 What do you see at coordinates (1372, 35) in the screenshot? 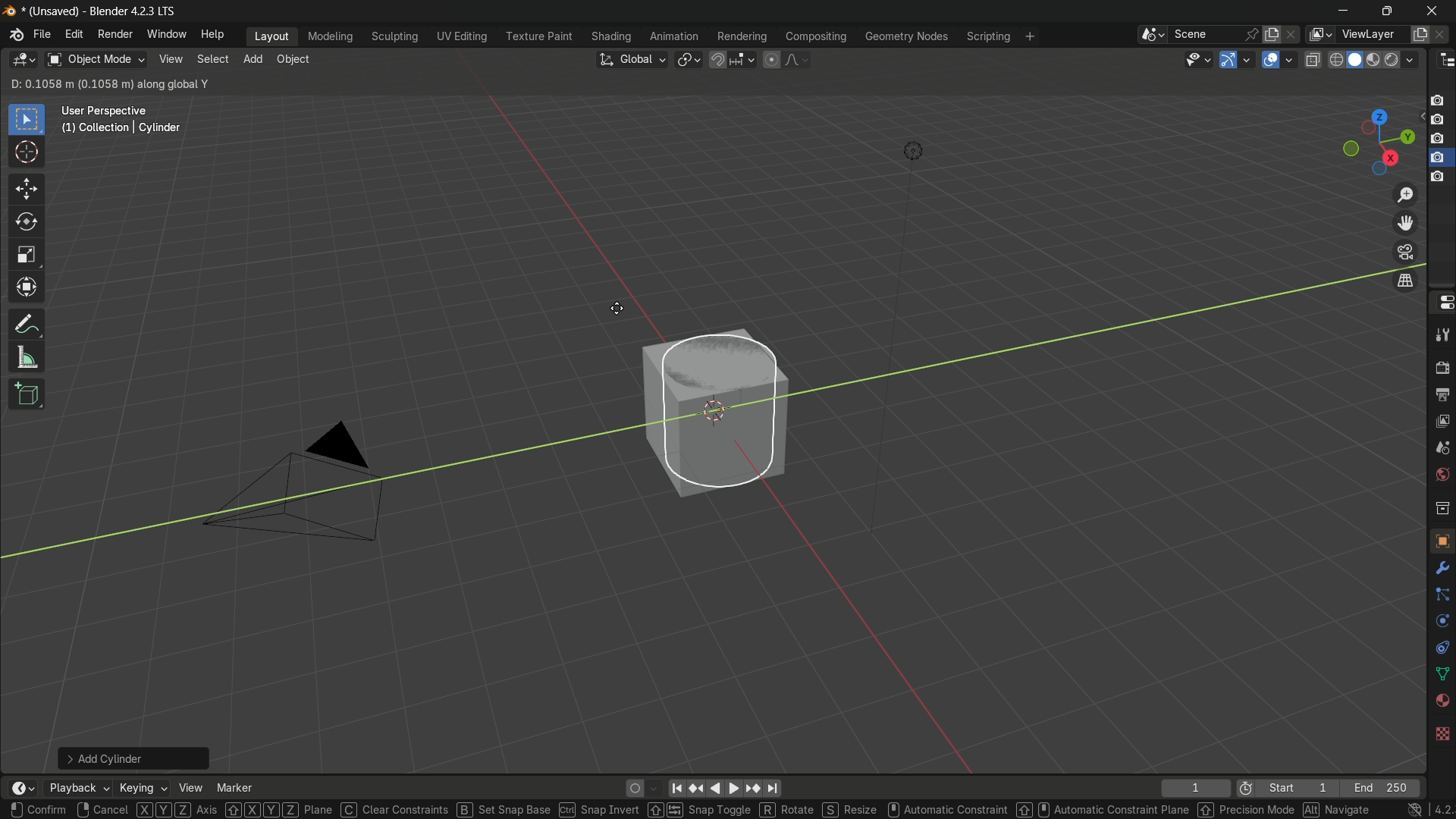
I see `view layer name` at bounding box center [1372, 35].